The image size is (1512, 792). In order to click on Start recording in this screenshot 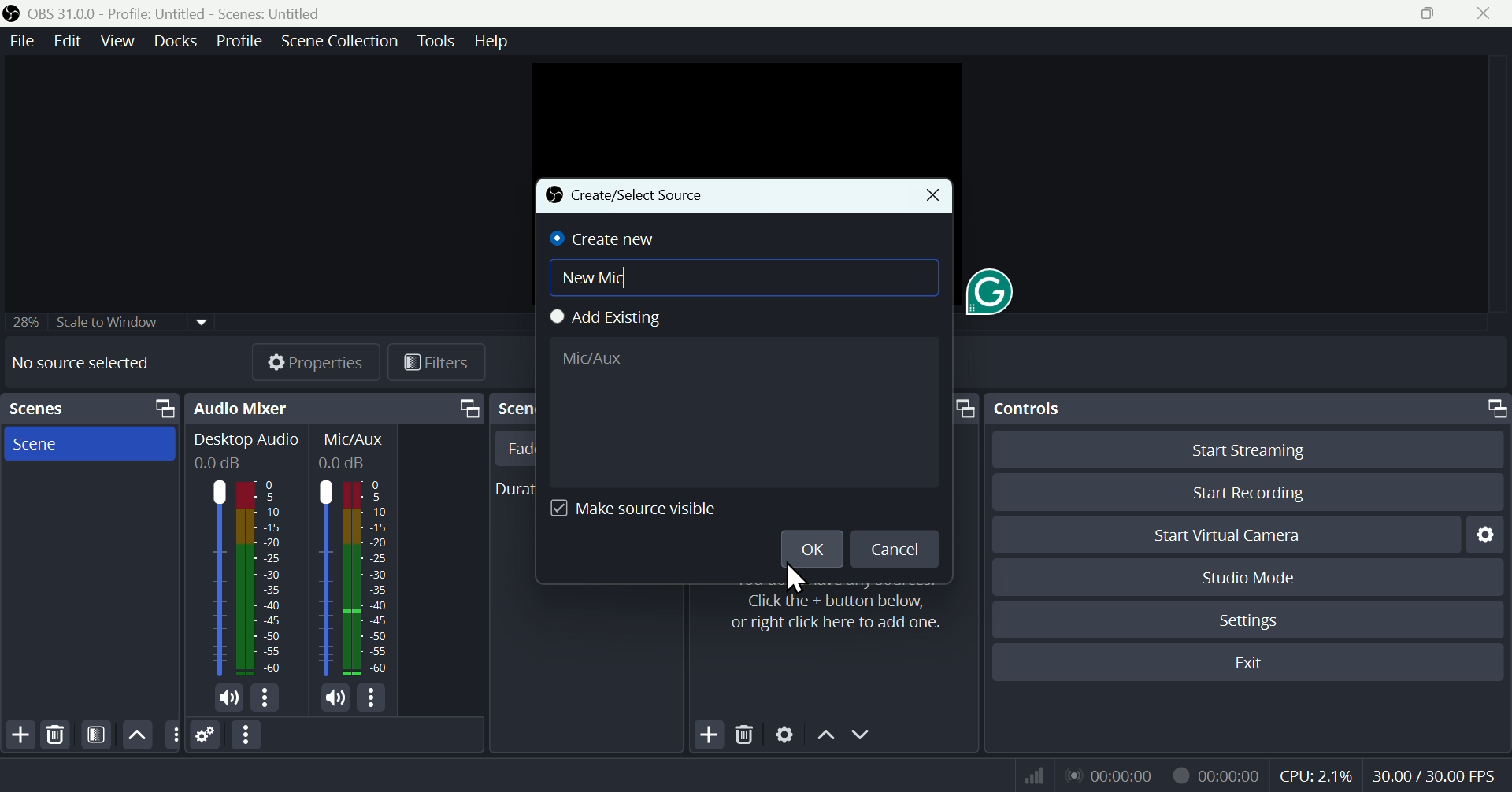, I will do `click(1251, 492)`.